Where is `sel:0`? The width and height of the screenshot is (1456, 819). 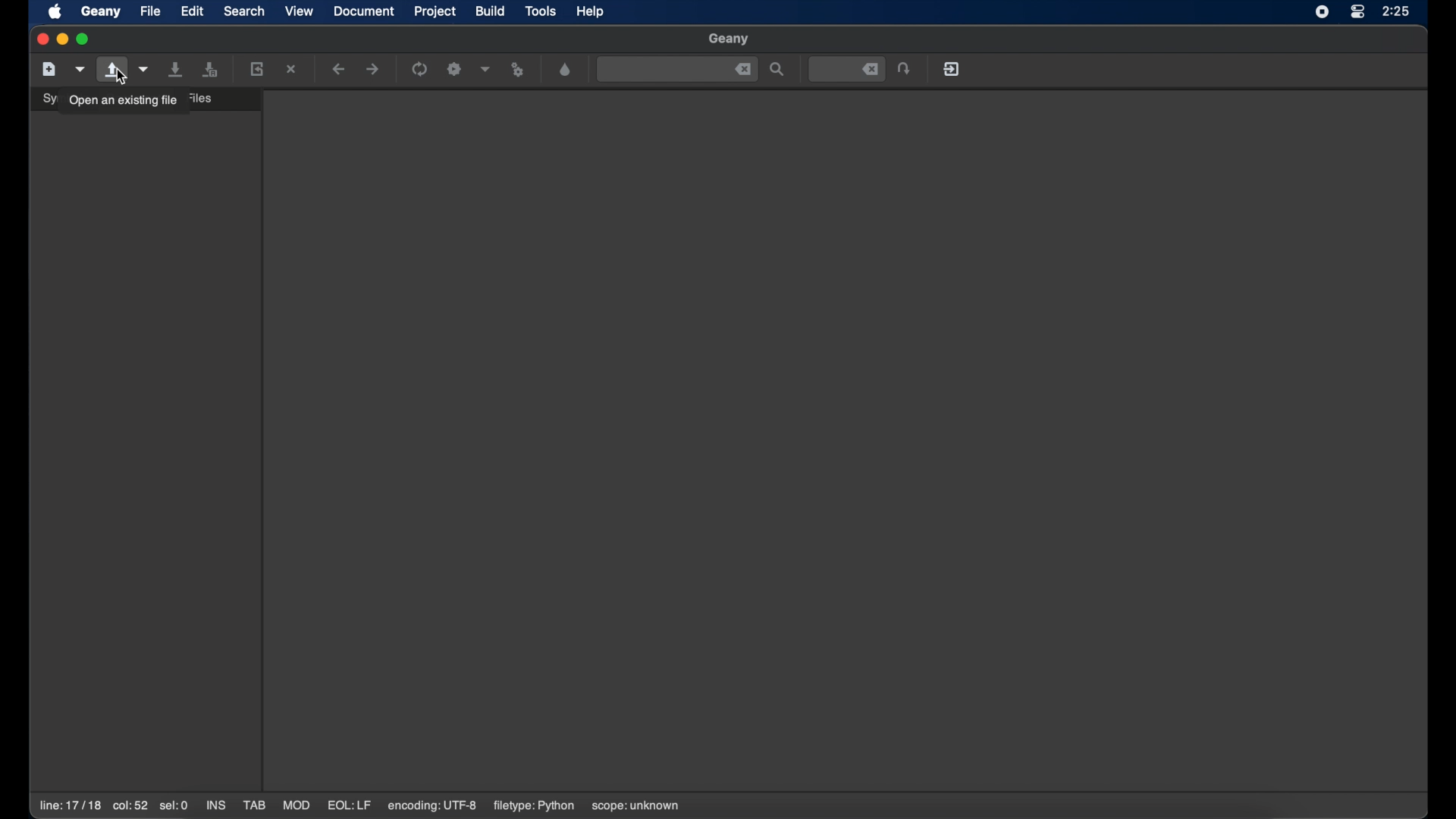
sel:0 is located at coordinates (174, 805).